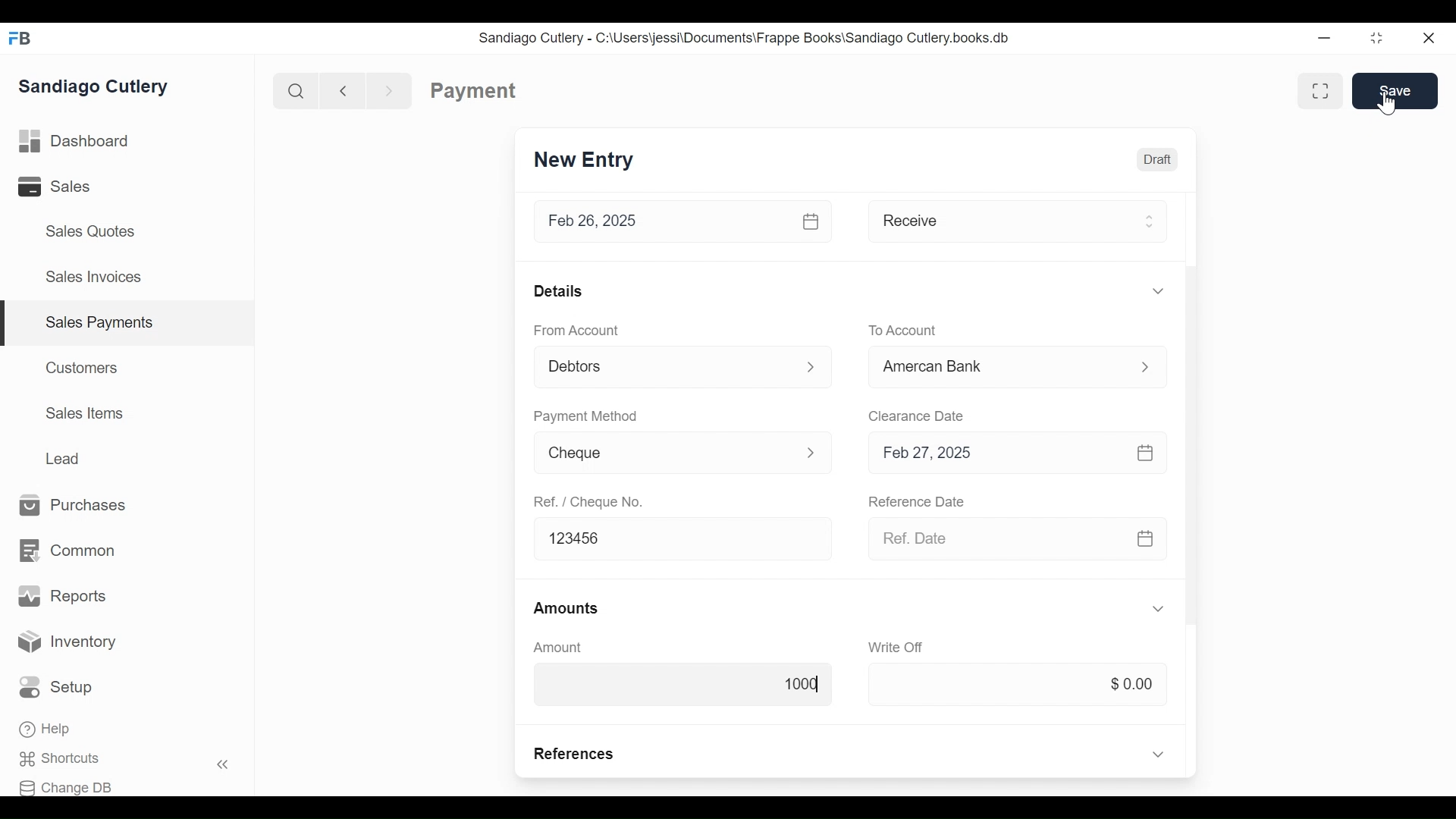 This screenshot has height=819, width=1456. Describe the element at coordinates (390, 89) in the screenshot. I see `Navigate forward` at that location.